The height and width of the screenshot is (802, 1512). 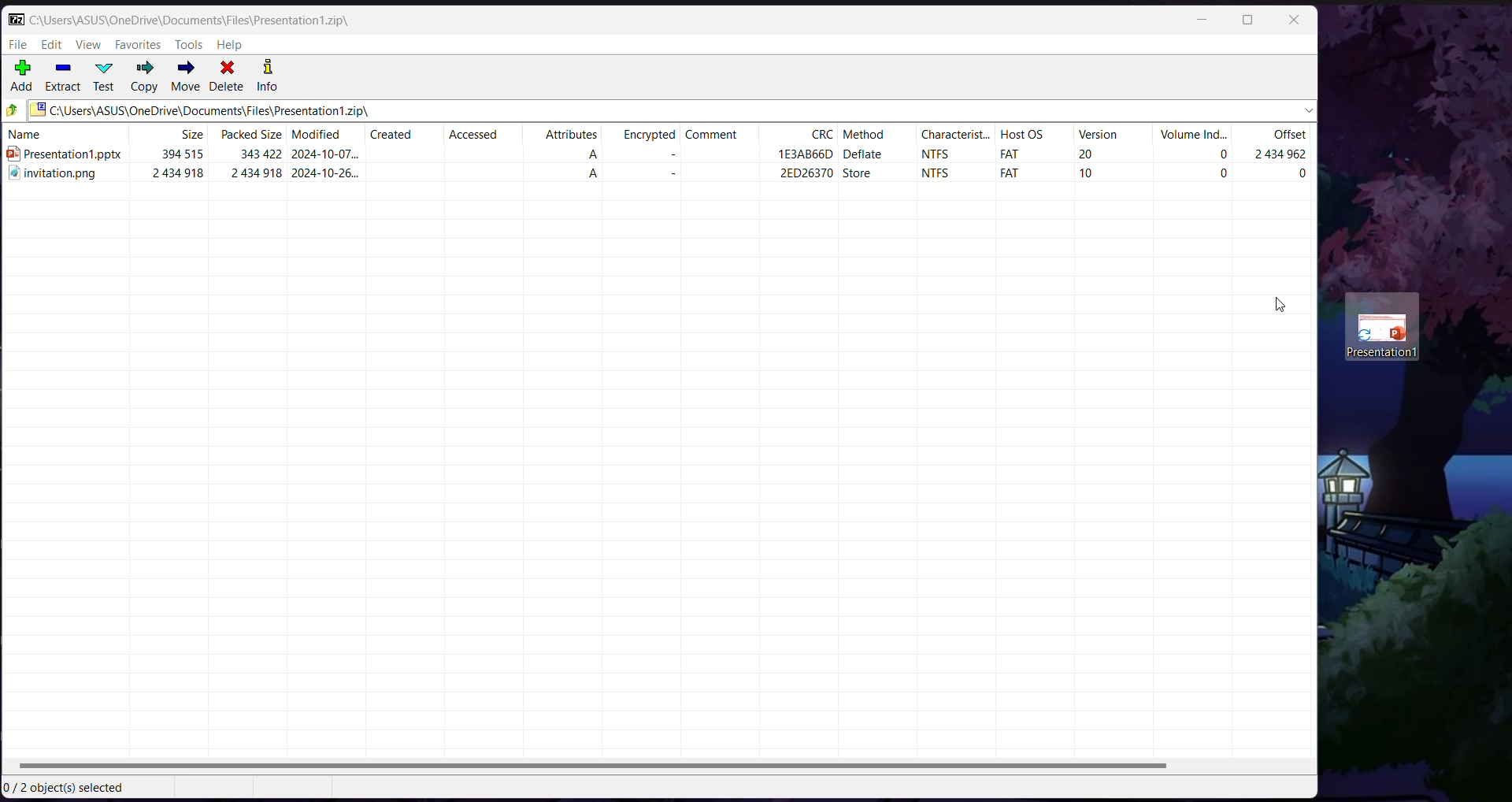 I want to click on Delete, so click(x=227, y=76).